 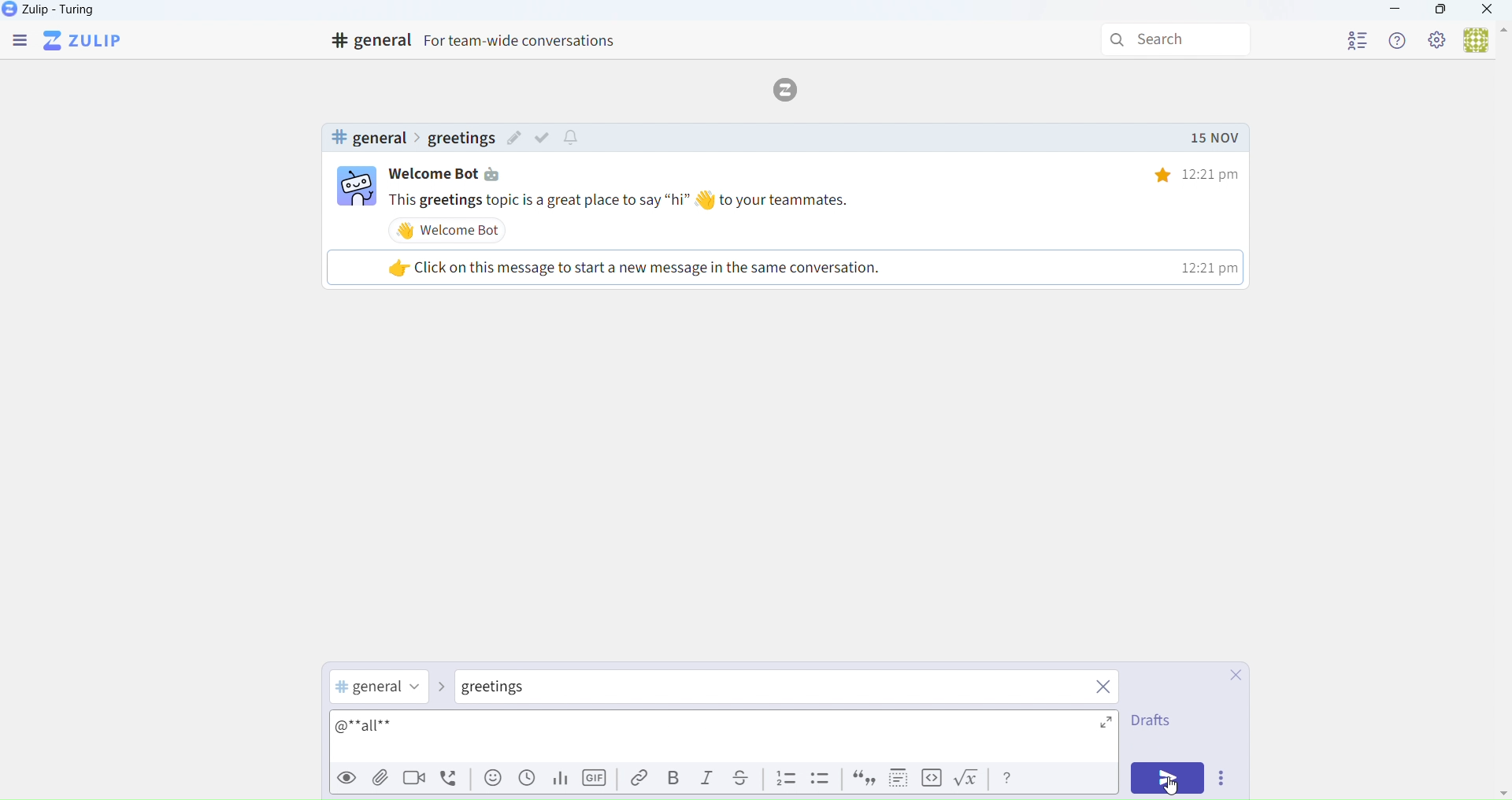 I want to click on Settings, so click(x=1438, y=41).